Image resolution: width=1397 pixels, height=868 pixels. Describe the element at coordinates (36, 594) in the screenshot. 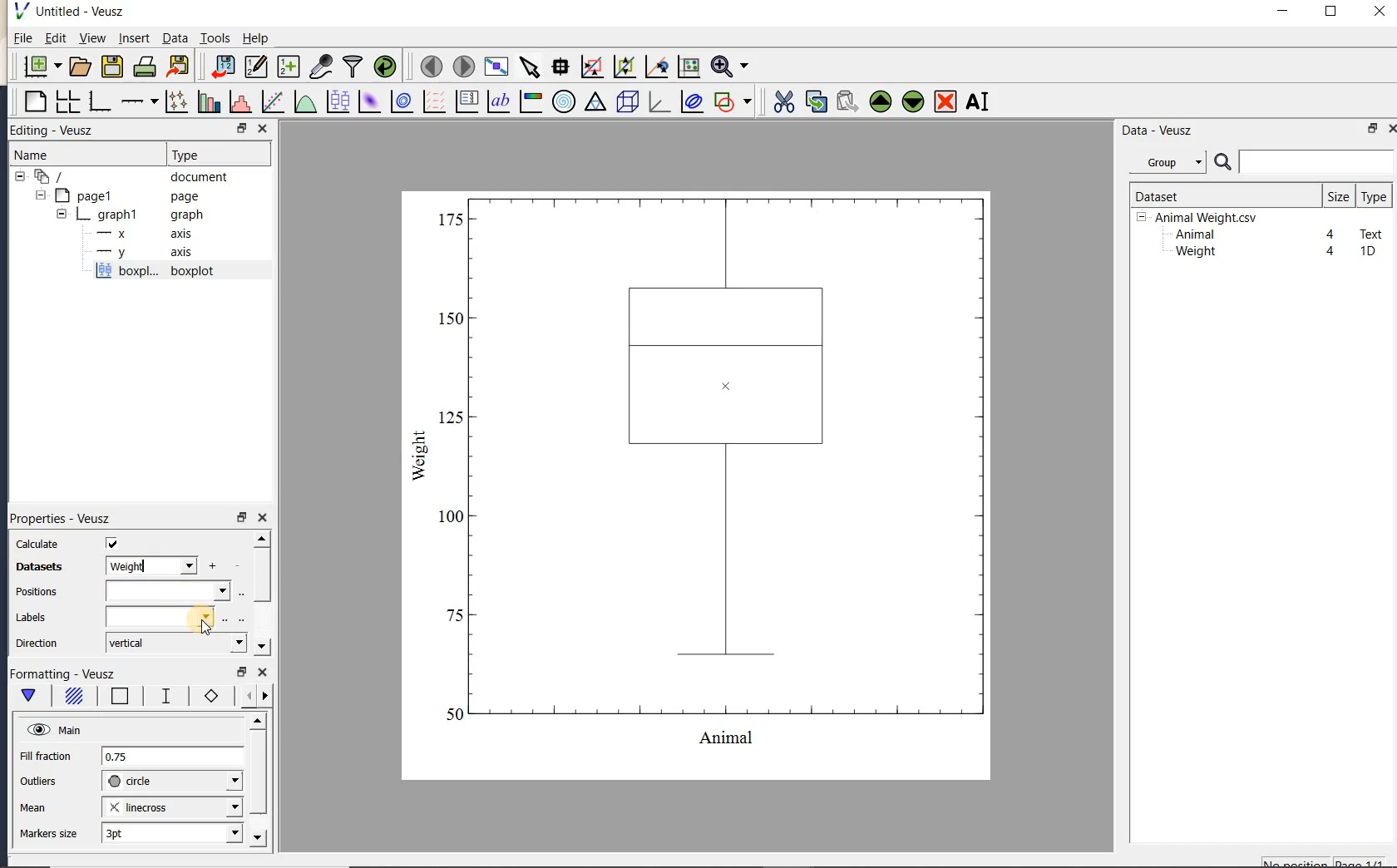

I see `positions` at that location.